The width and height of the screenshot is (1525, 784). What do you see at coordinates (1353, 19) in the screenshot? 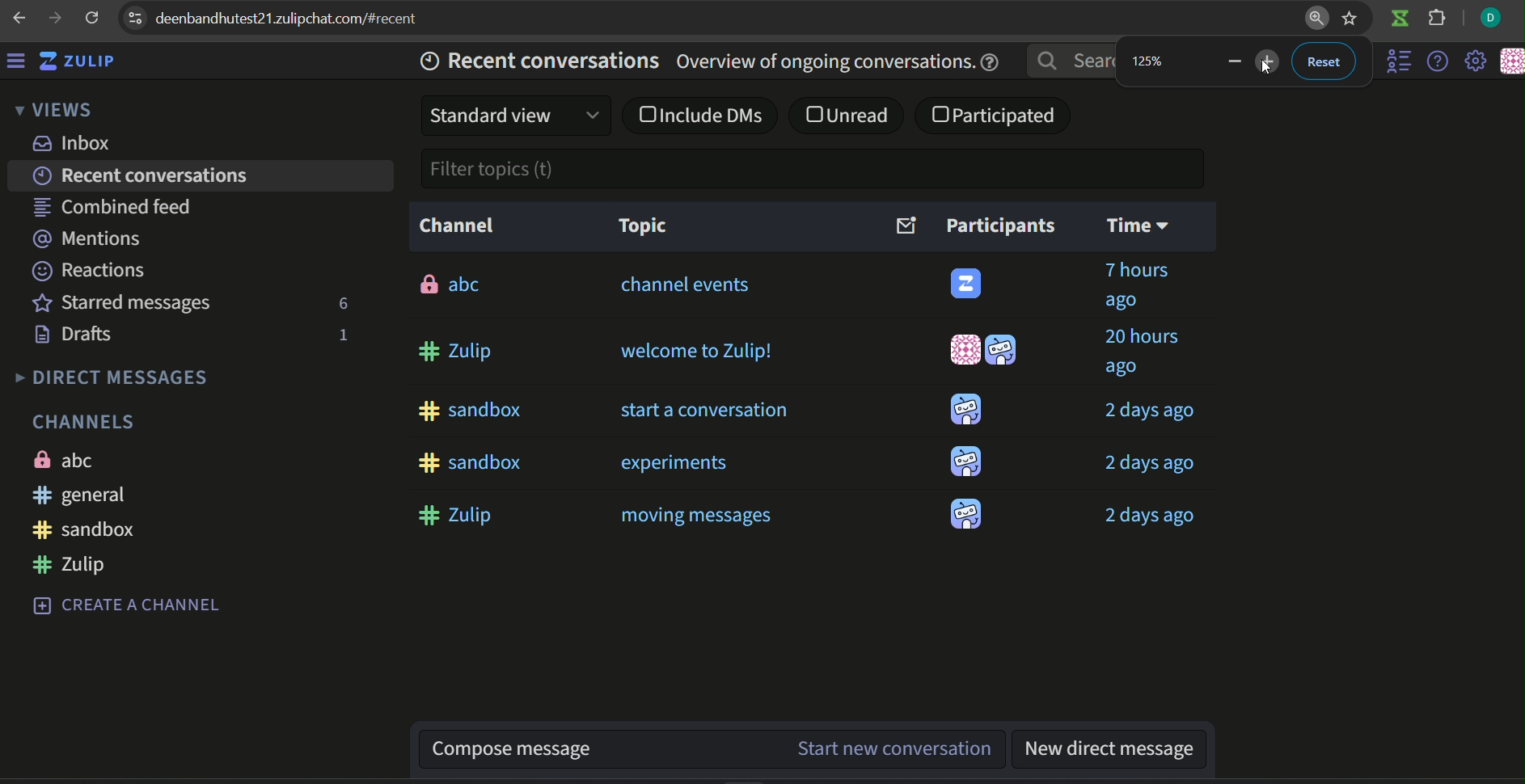
I see `bookmark` at bounding box center [1353, 19].